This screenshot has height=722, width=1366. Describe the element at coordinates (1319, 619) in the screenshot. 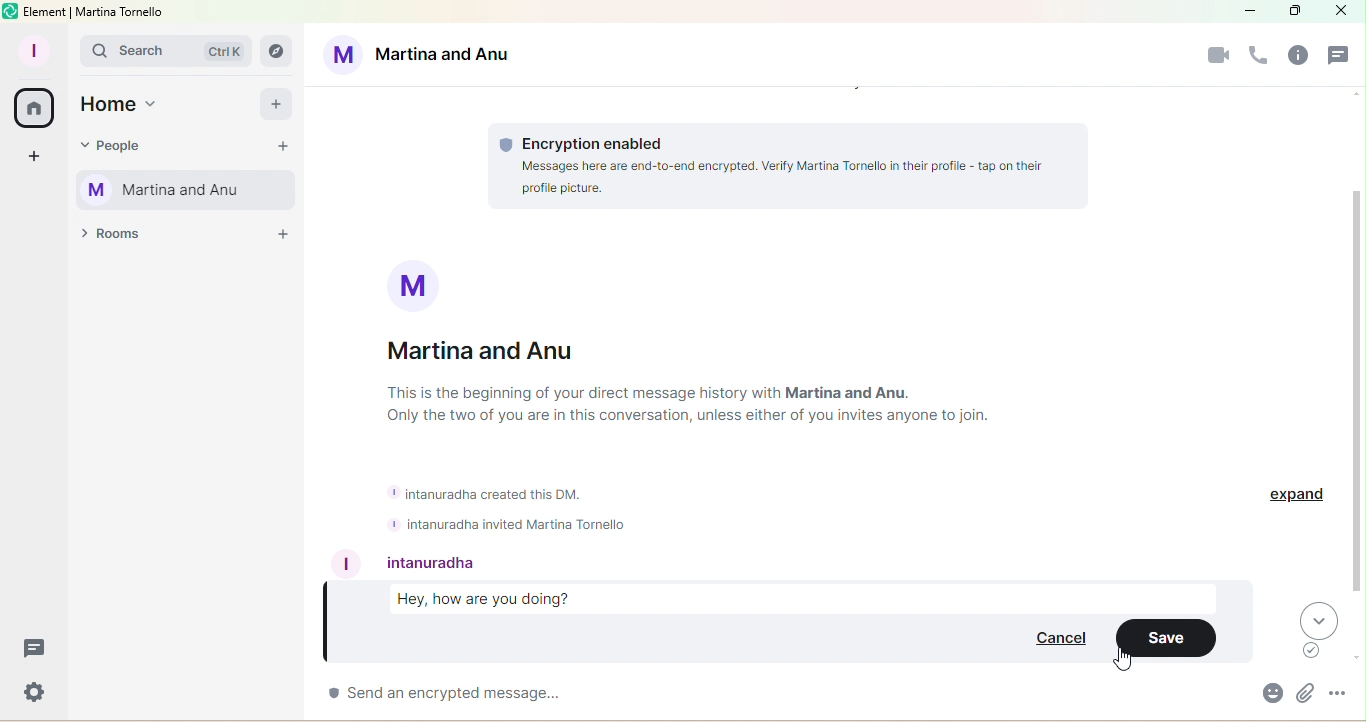

I see `Scroll to most recent messages` at that location.